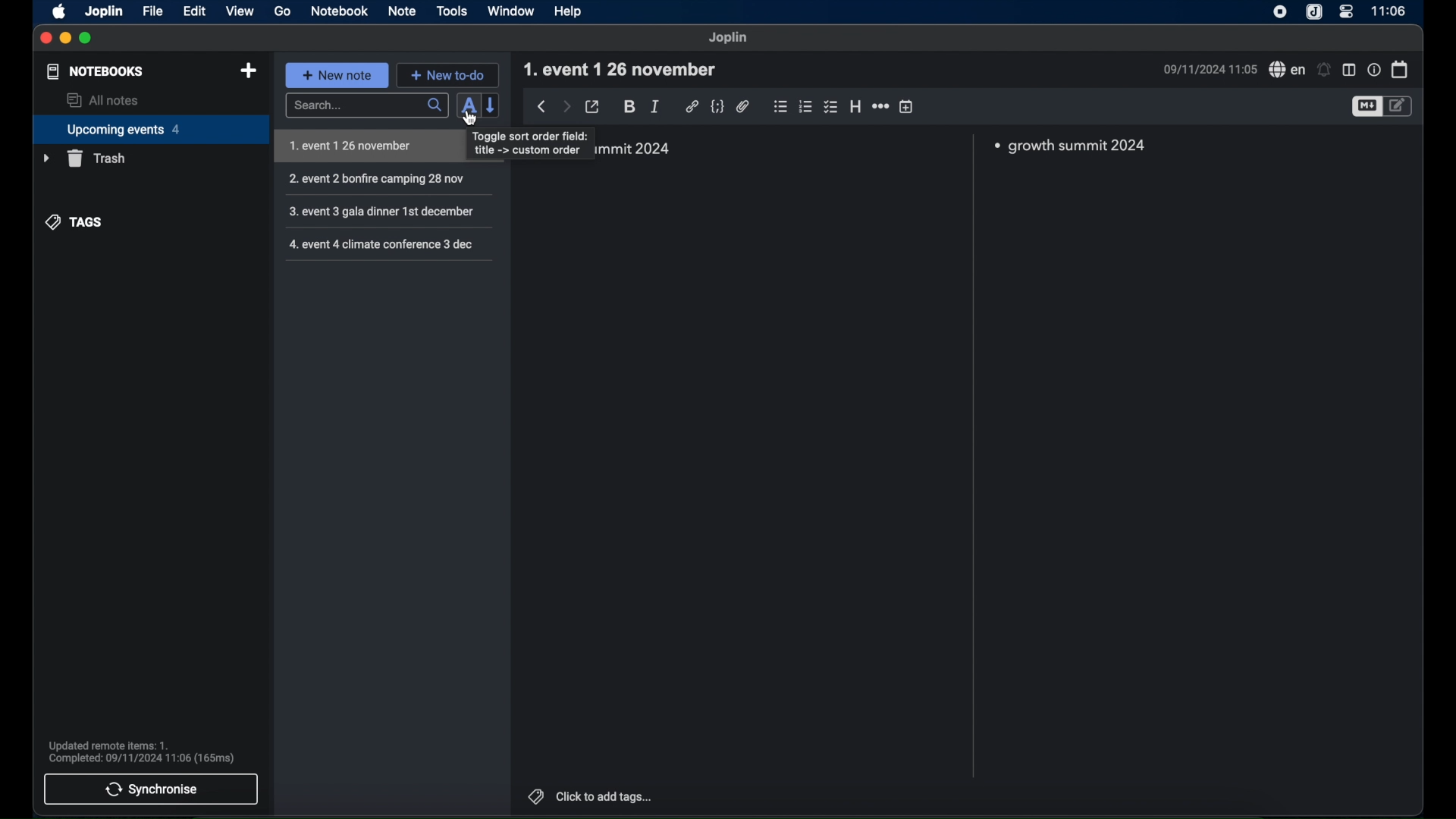  What do you see at coordinates (492, 105) in the screenshot?
I see `reverse sort order` at bounding box center [492, 105].